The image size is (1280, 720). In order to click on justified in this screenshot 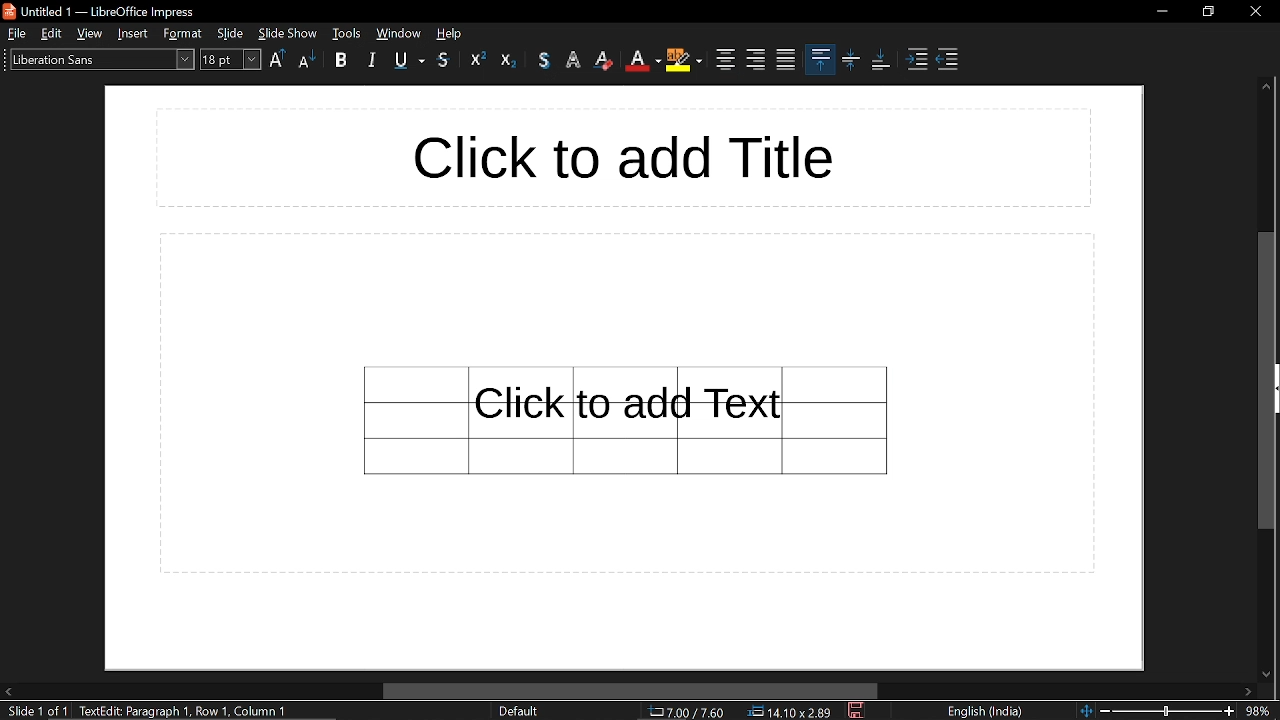, I will do `click(786, 60)`.